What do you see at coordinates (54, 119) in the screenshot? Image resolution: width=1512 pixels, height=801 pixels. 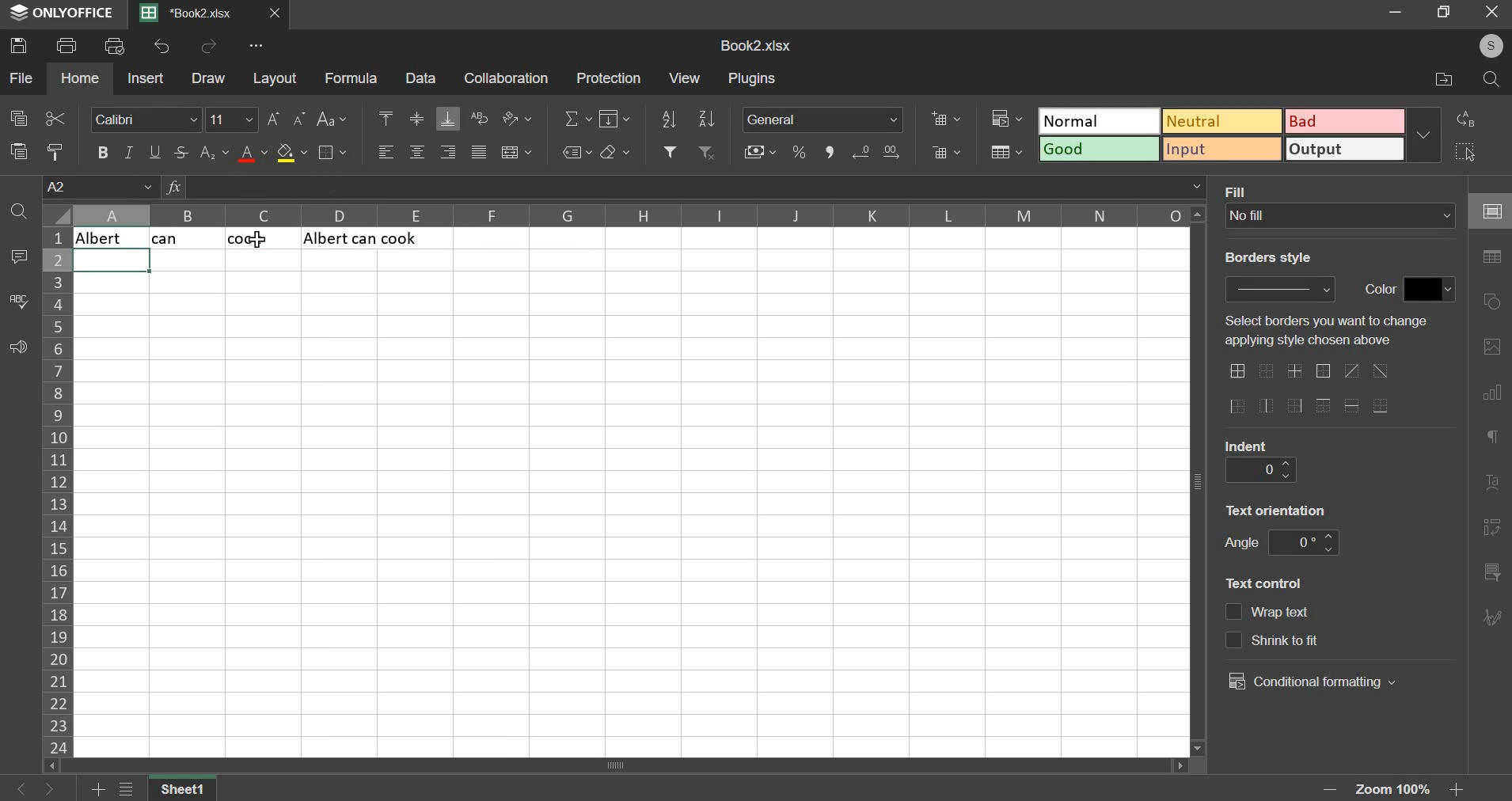 I see `cut` at bounding box center [54, 119].